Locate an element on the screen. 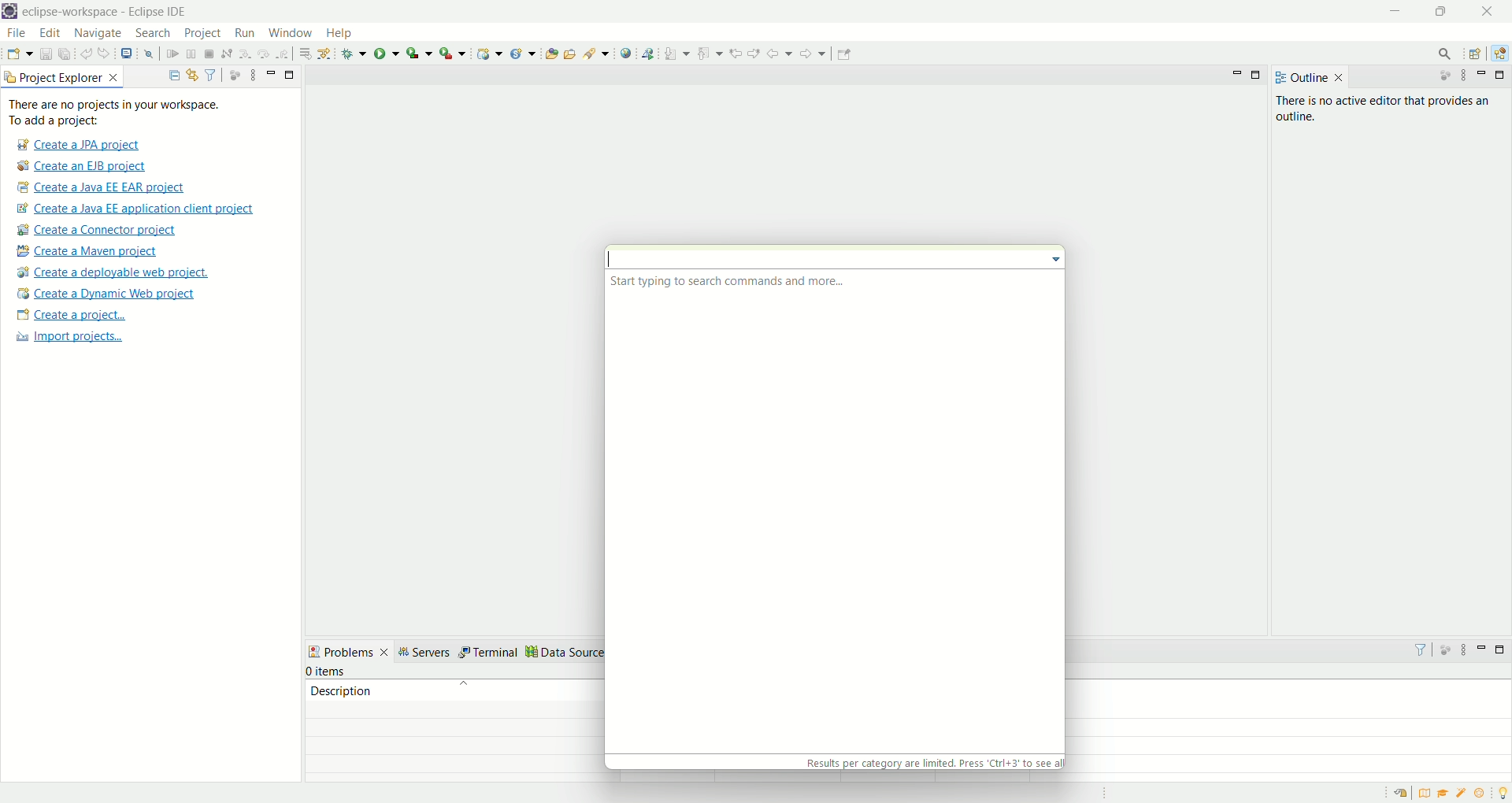  undo is located at coordinates (83, 54).